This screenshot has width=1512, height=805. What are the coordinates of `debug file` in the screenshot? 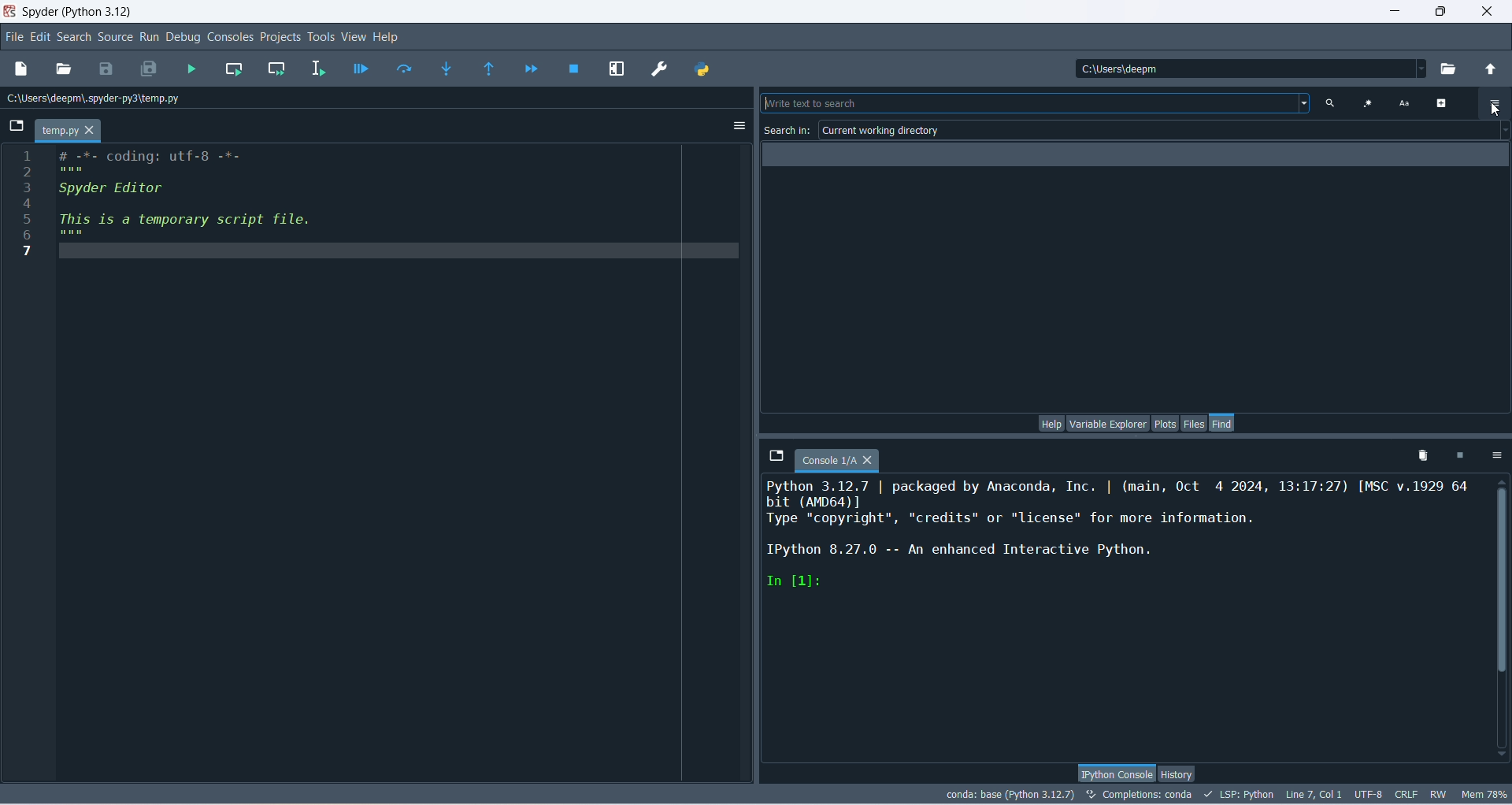 It's located at (358, 70).